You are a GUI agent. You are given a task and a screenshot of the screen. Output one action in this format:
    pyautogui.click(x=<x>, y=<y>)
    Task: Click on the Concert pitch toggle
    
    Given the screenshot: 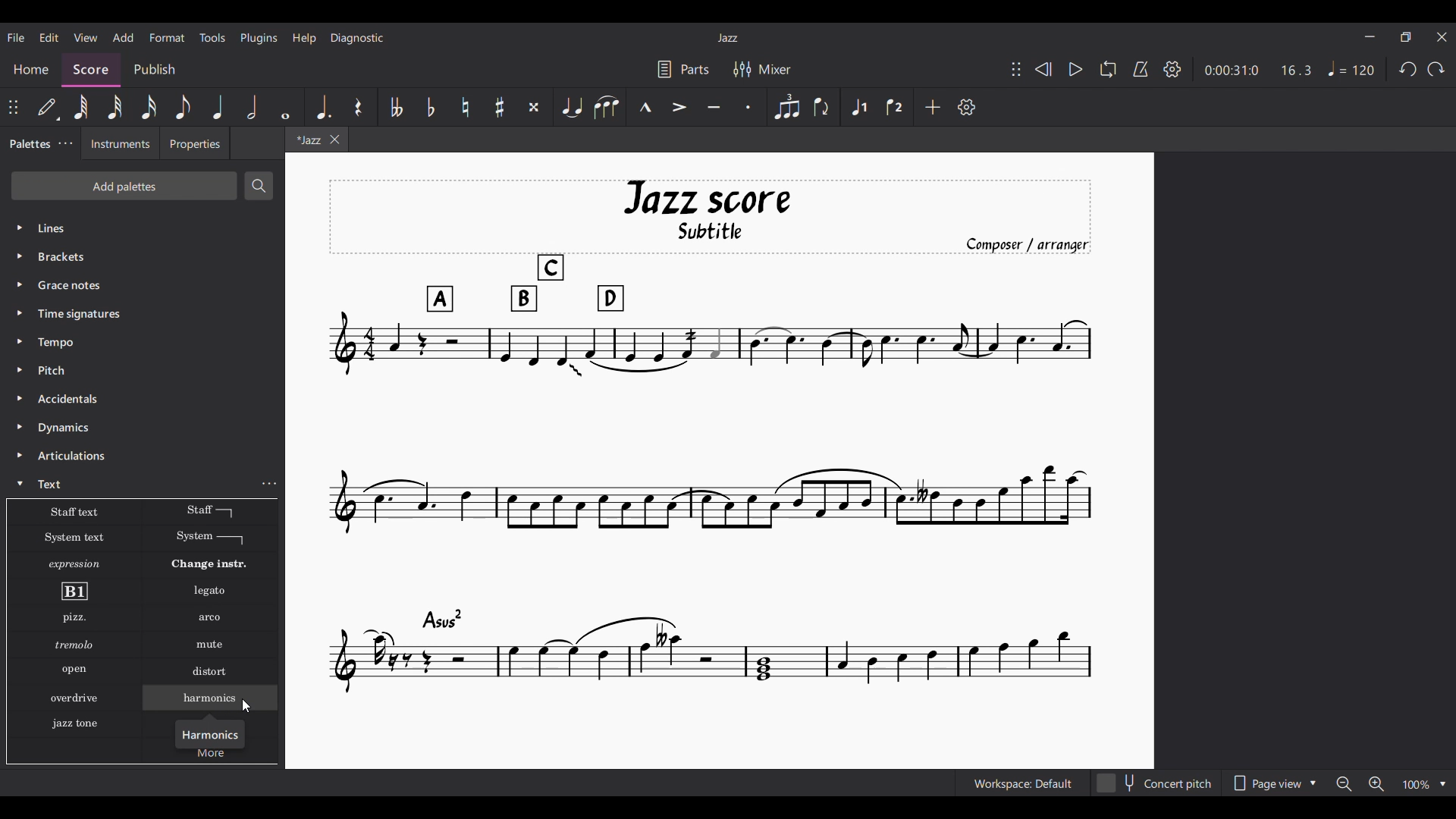 What is the action you would take?
    pyautogui.click(x=1156, y=783)
    